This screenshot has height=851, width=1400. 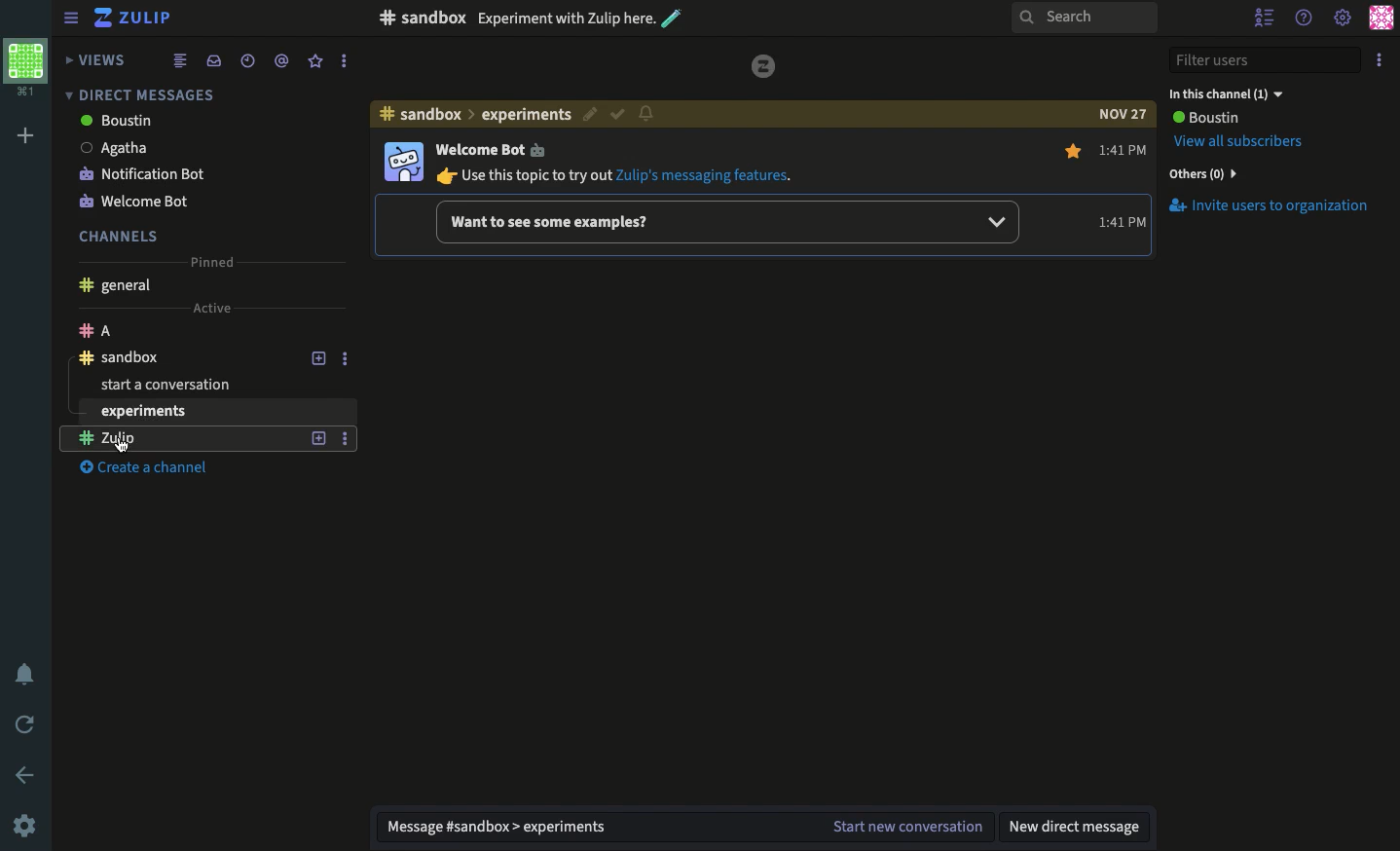 What do you see at coordinates (1204, 118) in the screenshot?
I see `User` at bounding box center [1204, 118].